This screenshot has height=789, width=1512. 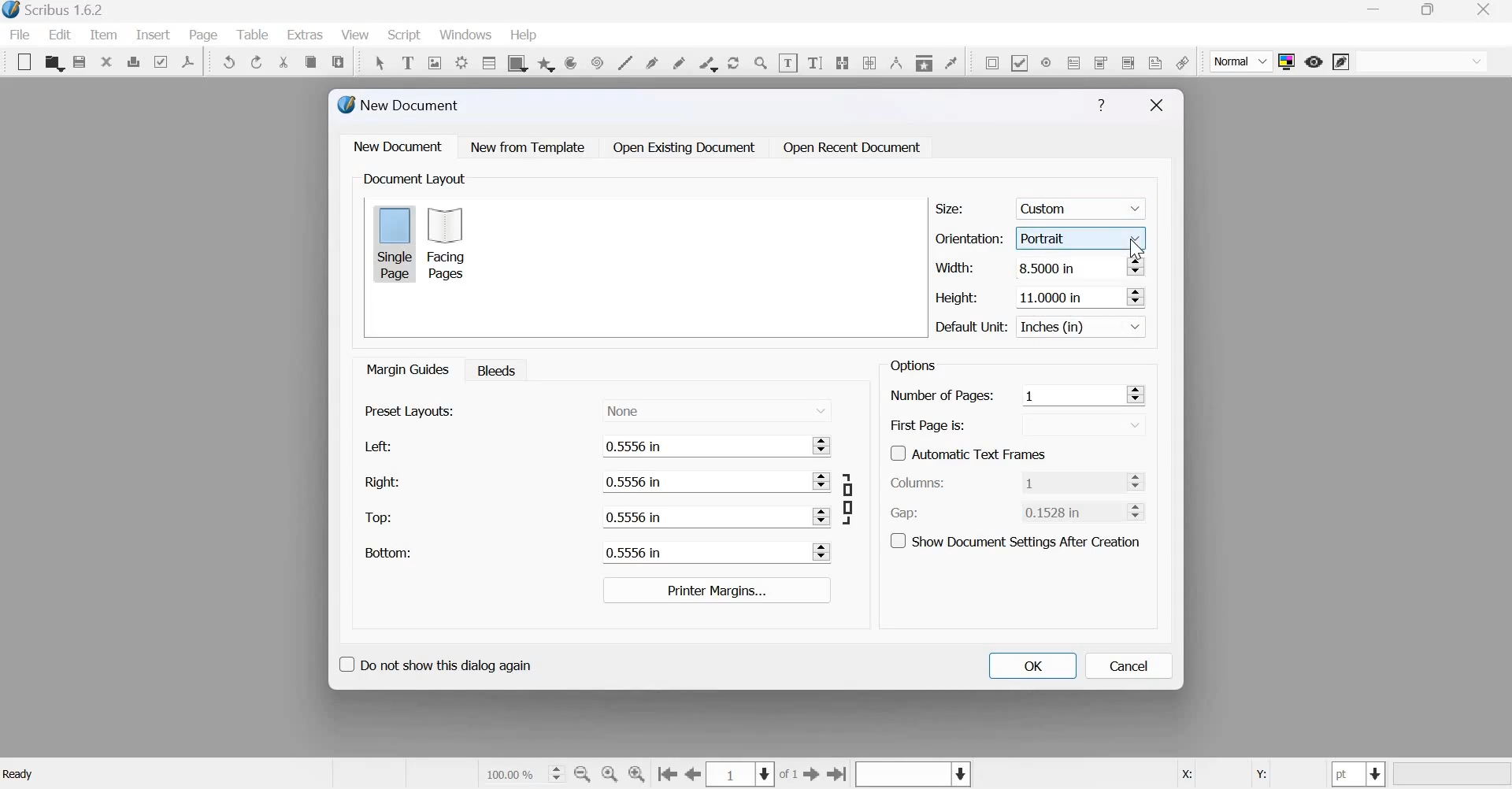 I want to click on Increase and Decrease, so click(x=1135, y=296).